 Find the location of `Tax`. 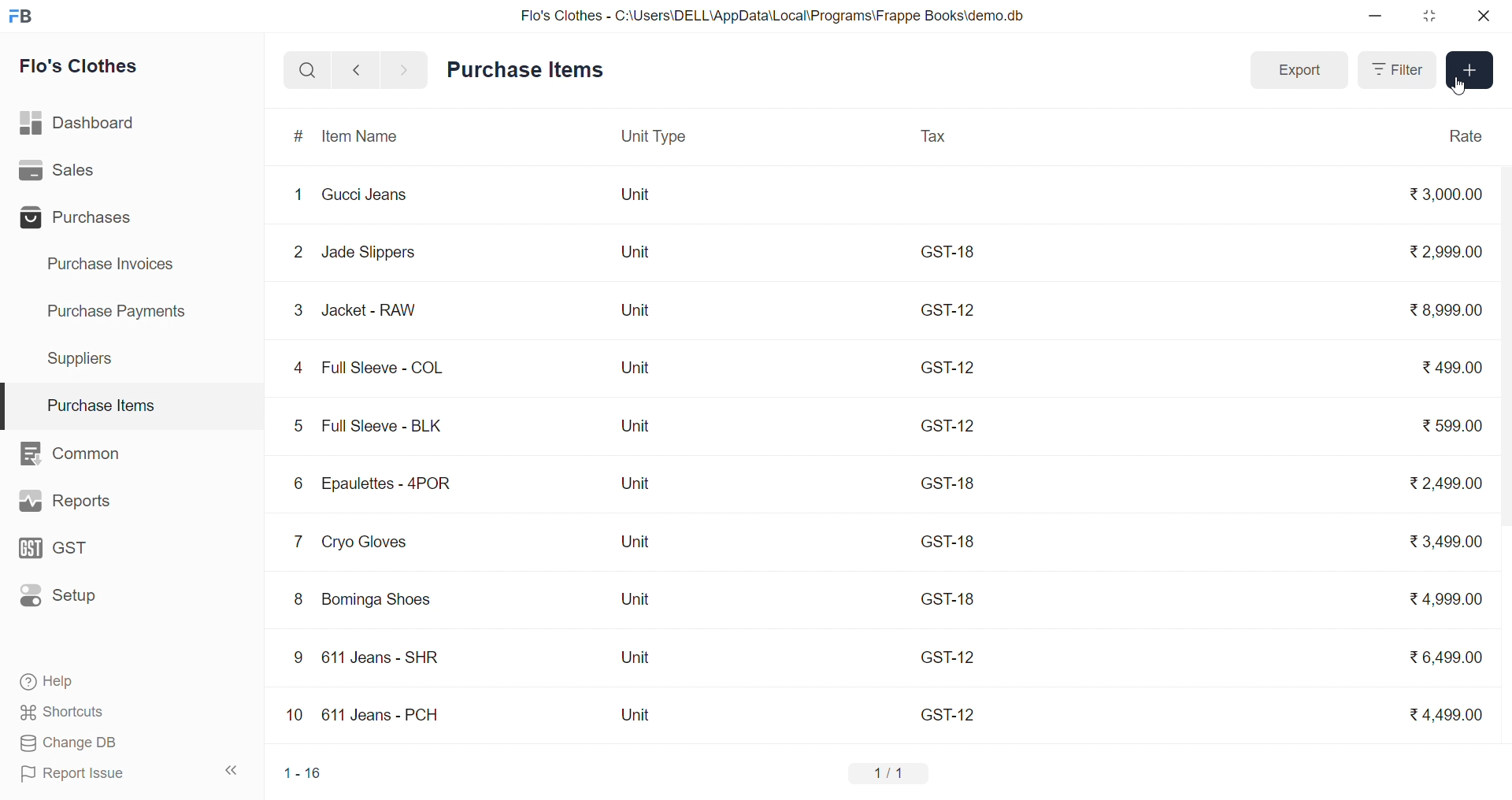

Tax is located at coordinates (939, 138).